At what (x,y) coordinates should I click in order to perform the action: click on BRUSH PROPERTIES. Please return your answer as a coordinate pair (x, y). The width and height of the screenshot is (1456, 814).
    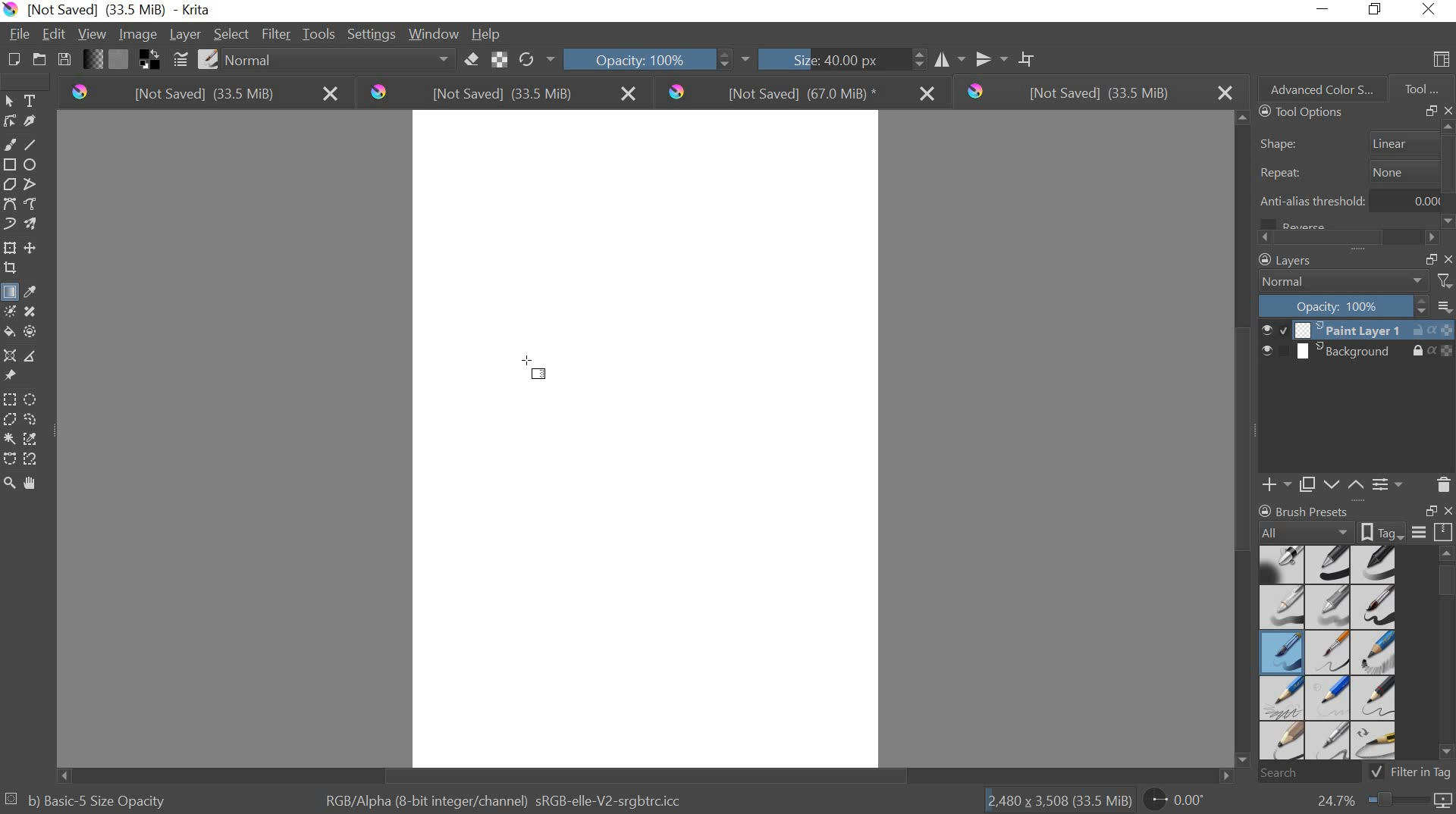
    Looking at the image, I should click on (1354, 532).